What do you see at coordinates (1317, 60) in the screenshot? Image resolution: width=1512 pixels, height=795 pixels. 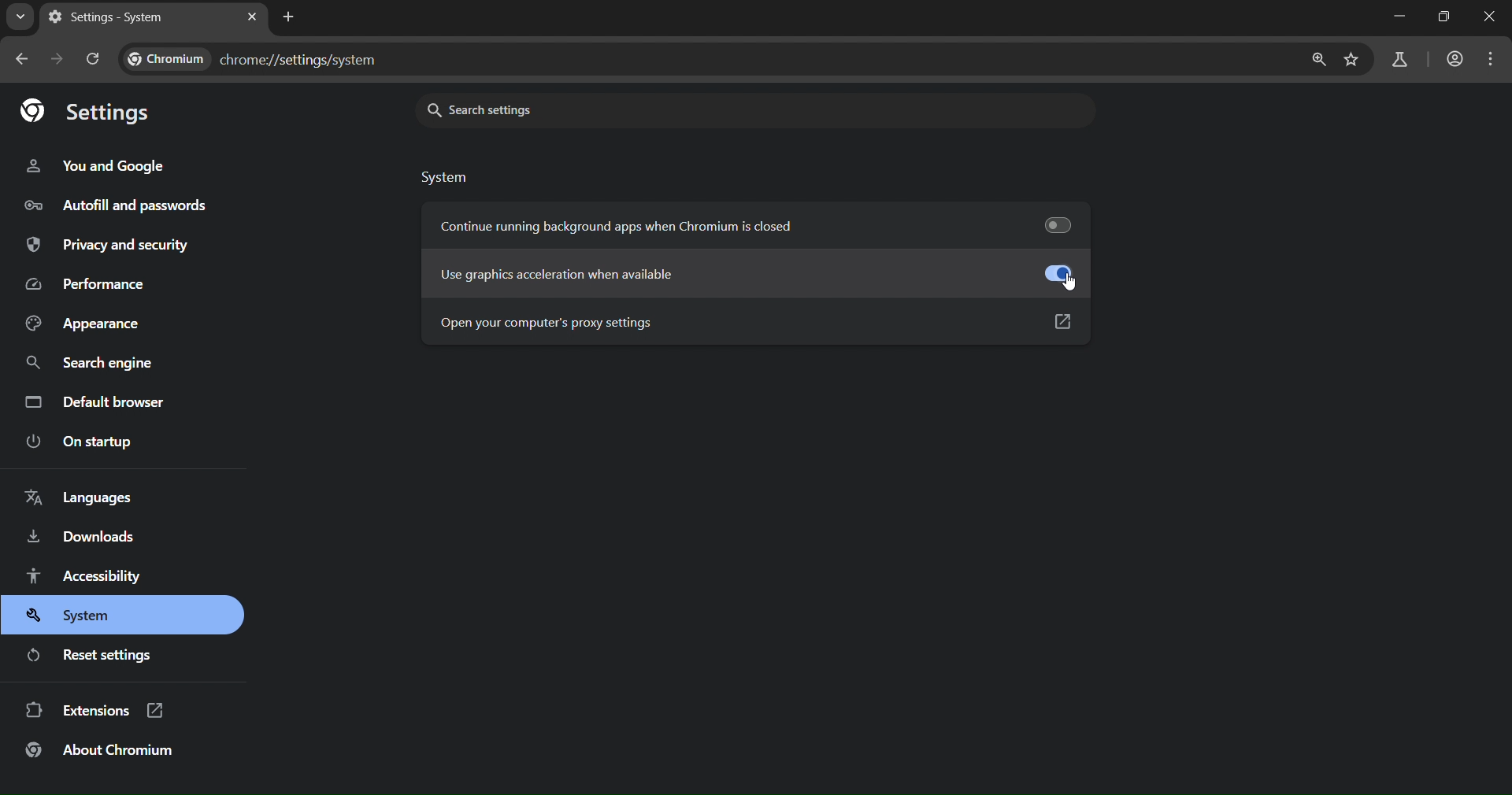 I see `zoom` at bounding box center [1317, 60].